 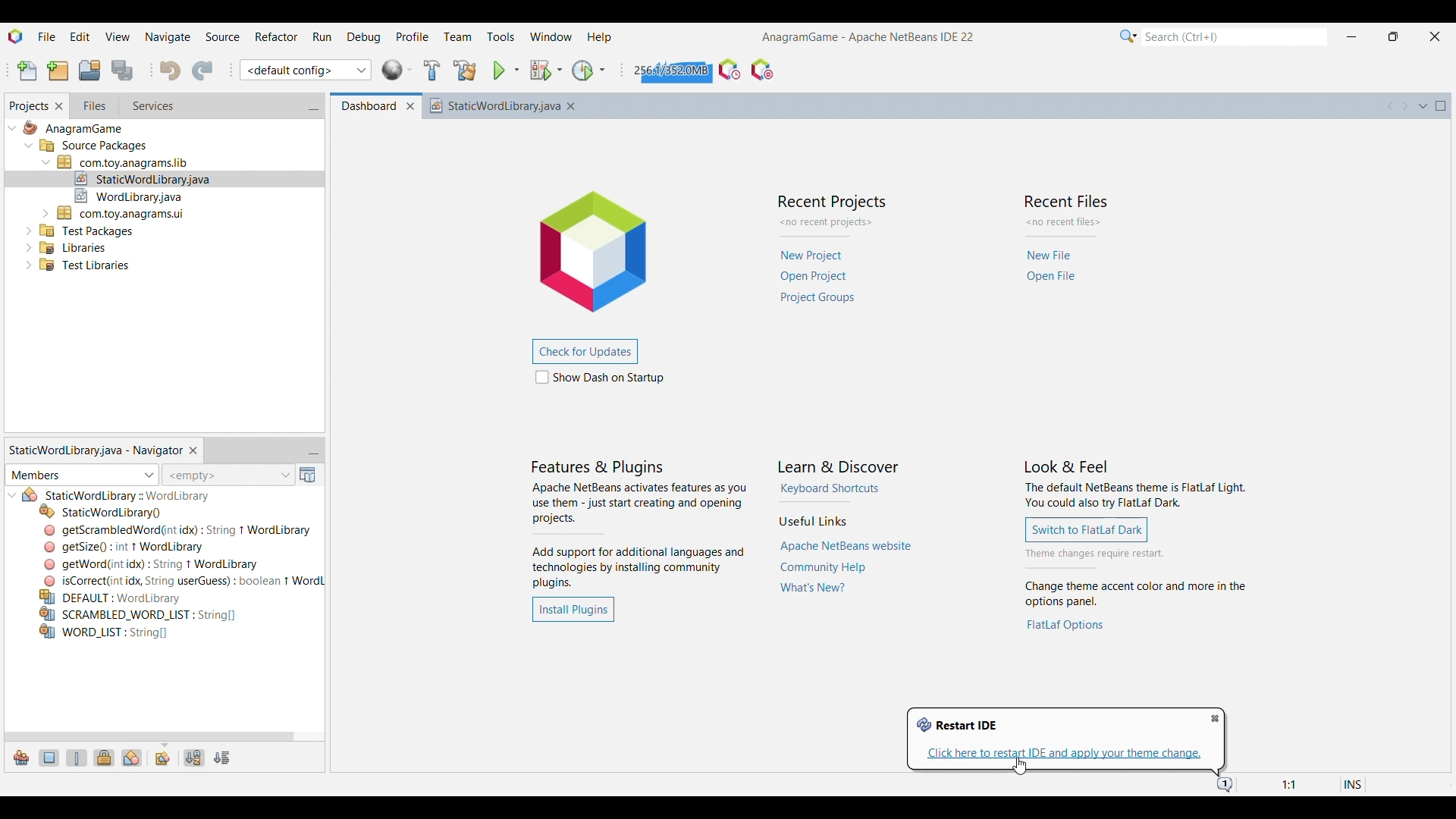 What do you see at coordinates (1065, 754) in the screenshot?
I see `Click to restart and apply change` at bounding box center [1065, 754].